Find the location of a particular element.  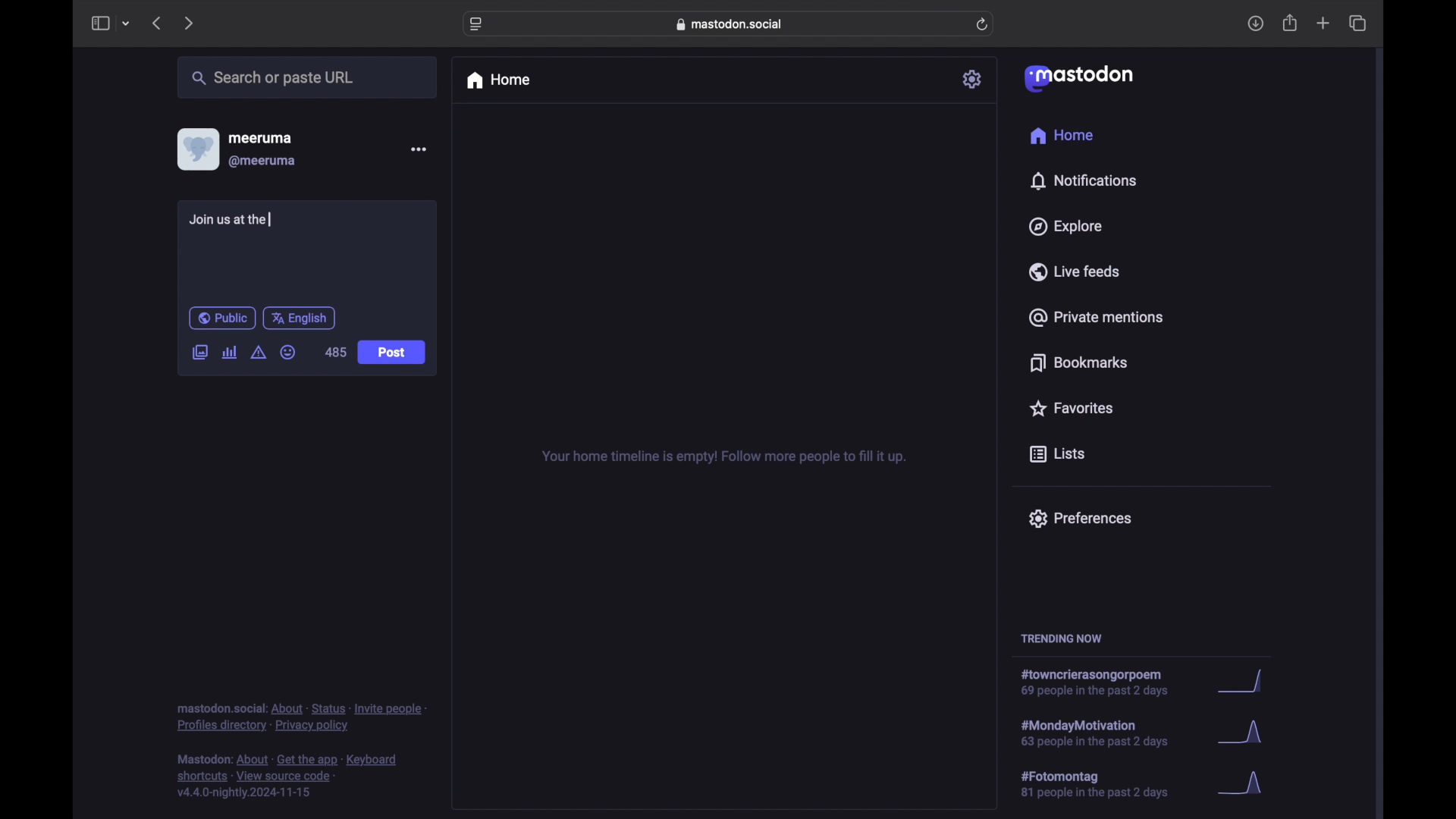

graph is located at coordinates (1245, 784).